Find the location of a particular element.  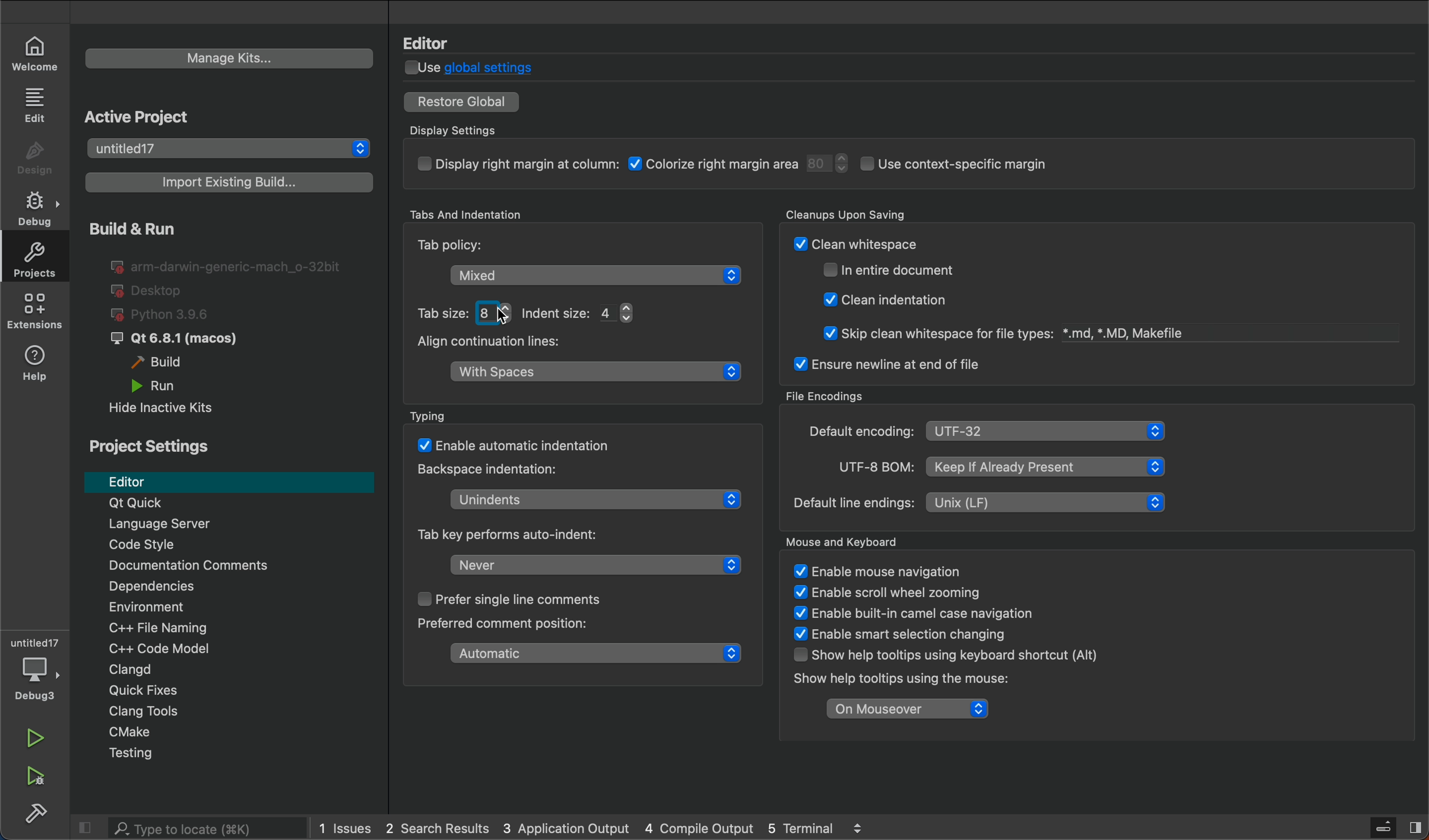

design is located at coordinates (39, 159).